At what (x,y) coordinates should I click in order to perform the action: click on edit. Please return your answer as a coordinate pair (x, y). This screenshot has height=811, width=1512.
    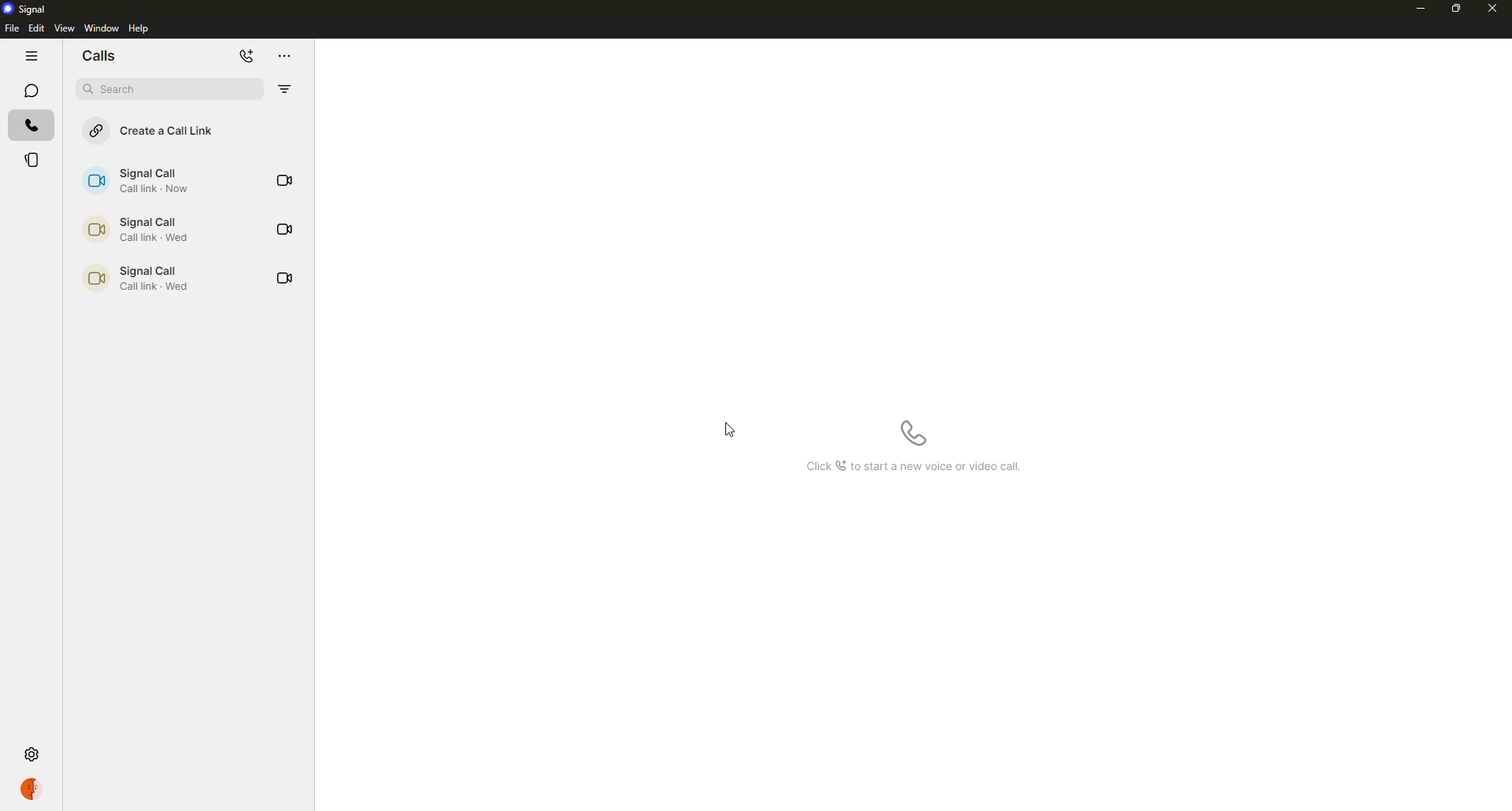
    Looking at the image, I should click on (37, 28).